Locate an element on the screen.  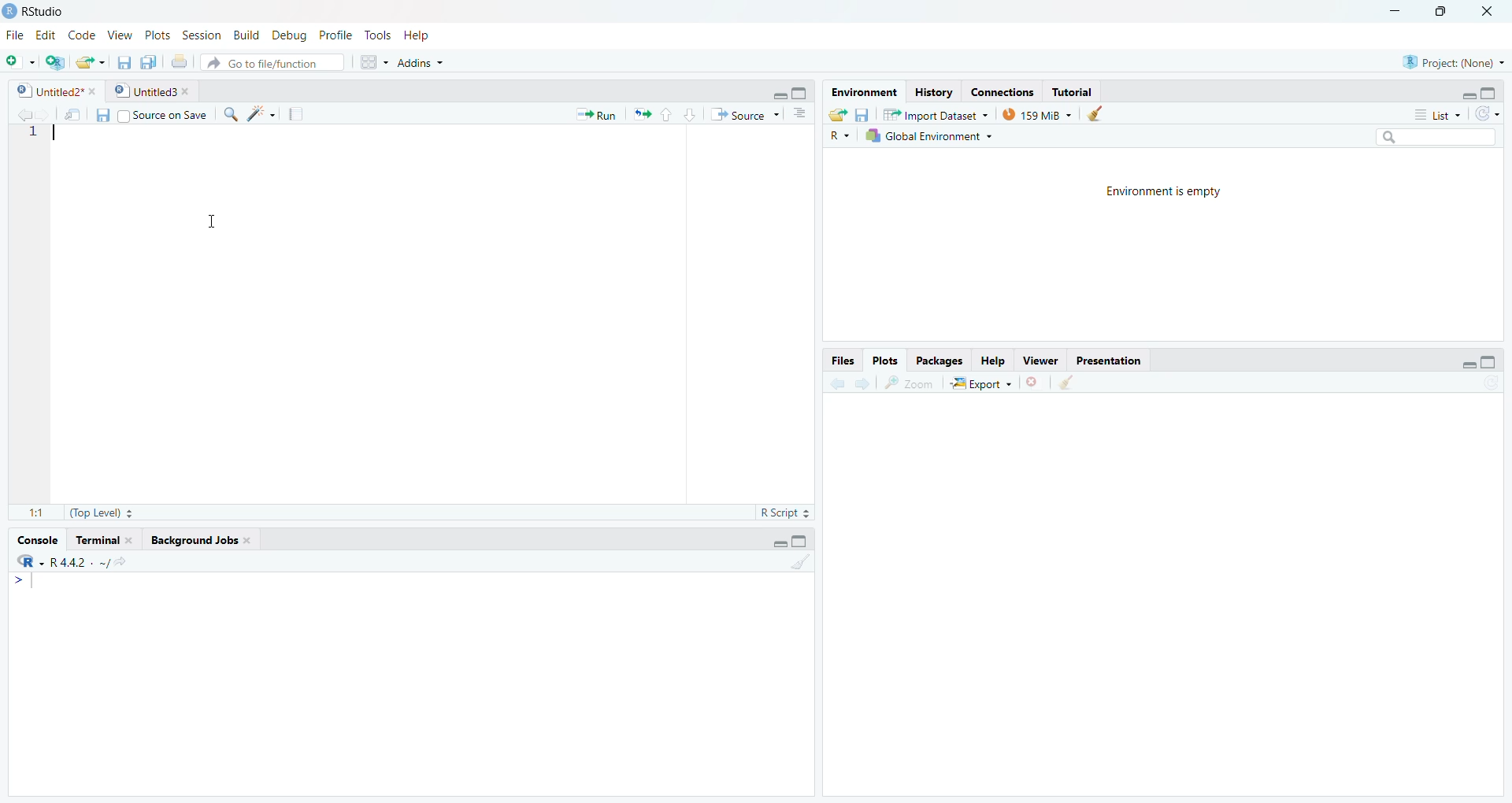
Files is located at coordinates (843, 362).